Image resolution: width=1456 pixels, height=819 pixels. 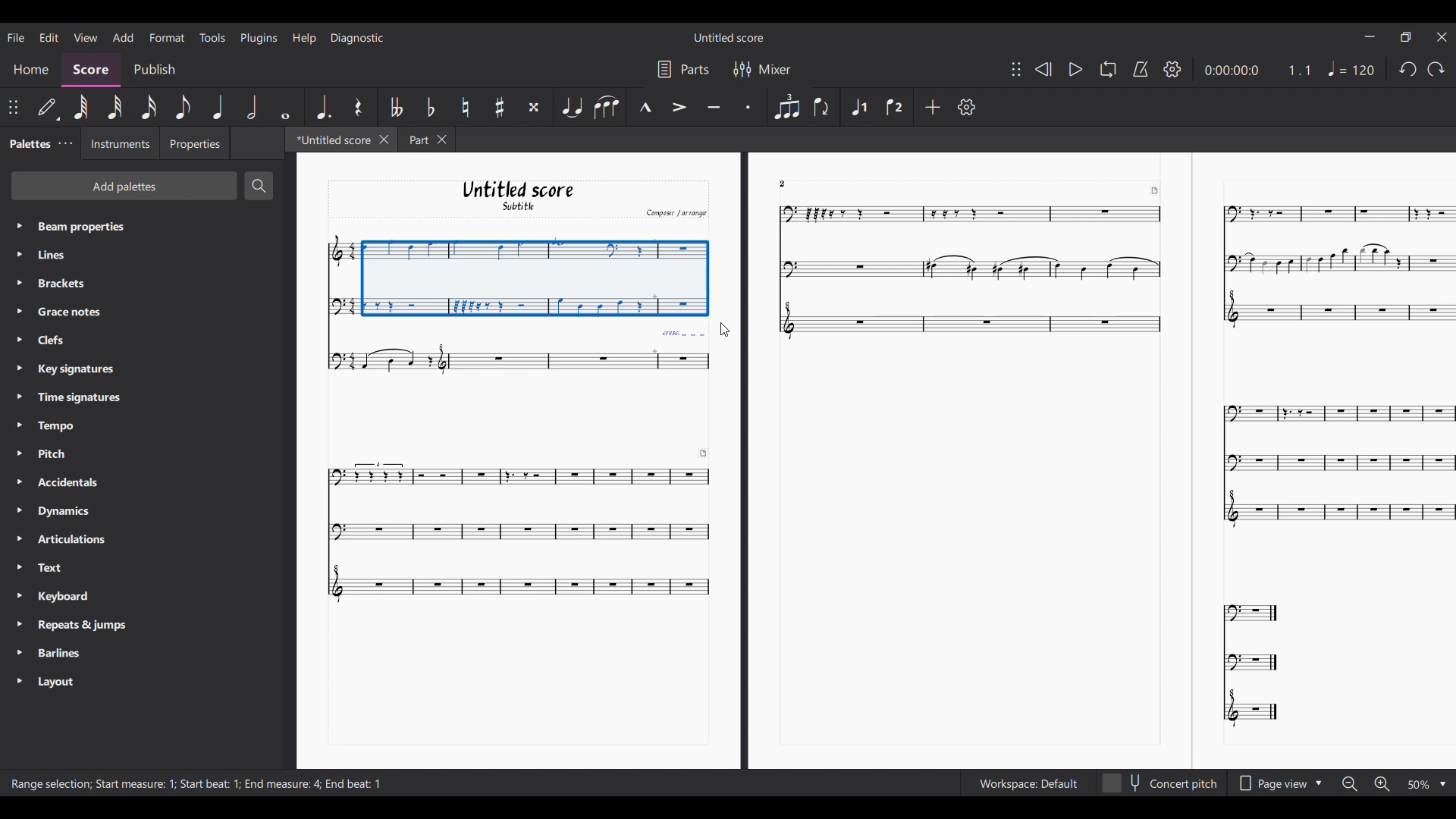 I want to click on , so click(x=1338, y=307).